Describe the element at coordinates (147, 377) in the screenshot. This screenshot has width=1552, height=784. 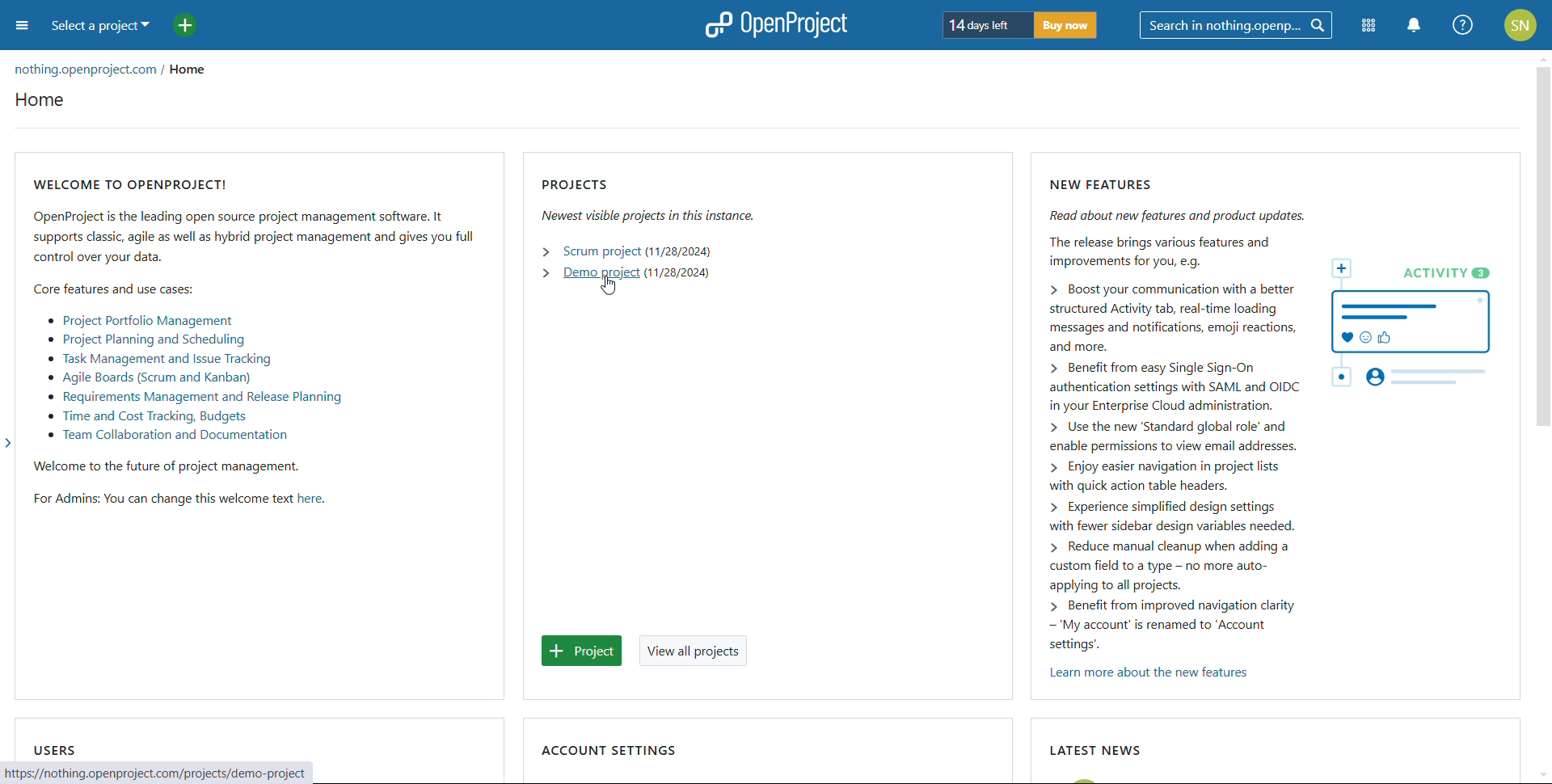
I see `agile boards (scrum and kanban)` at that location.